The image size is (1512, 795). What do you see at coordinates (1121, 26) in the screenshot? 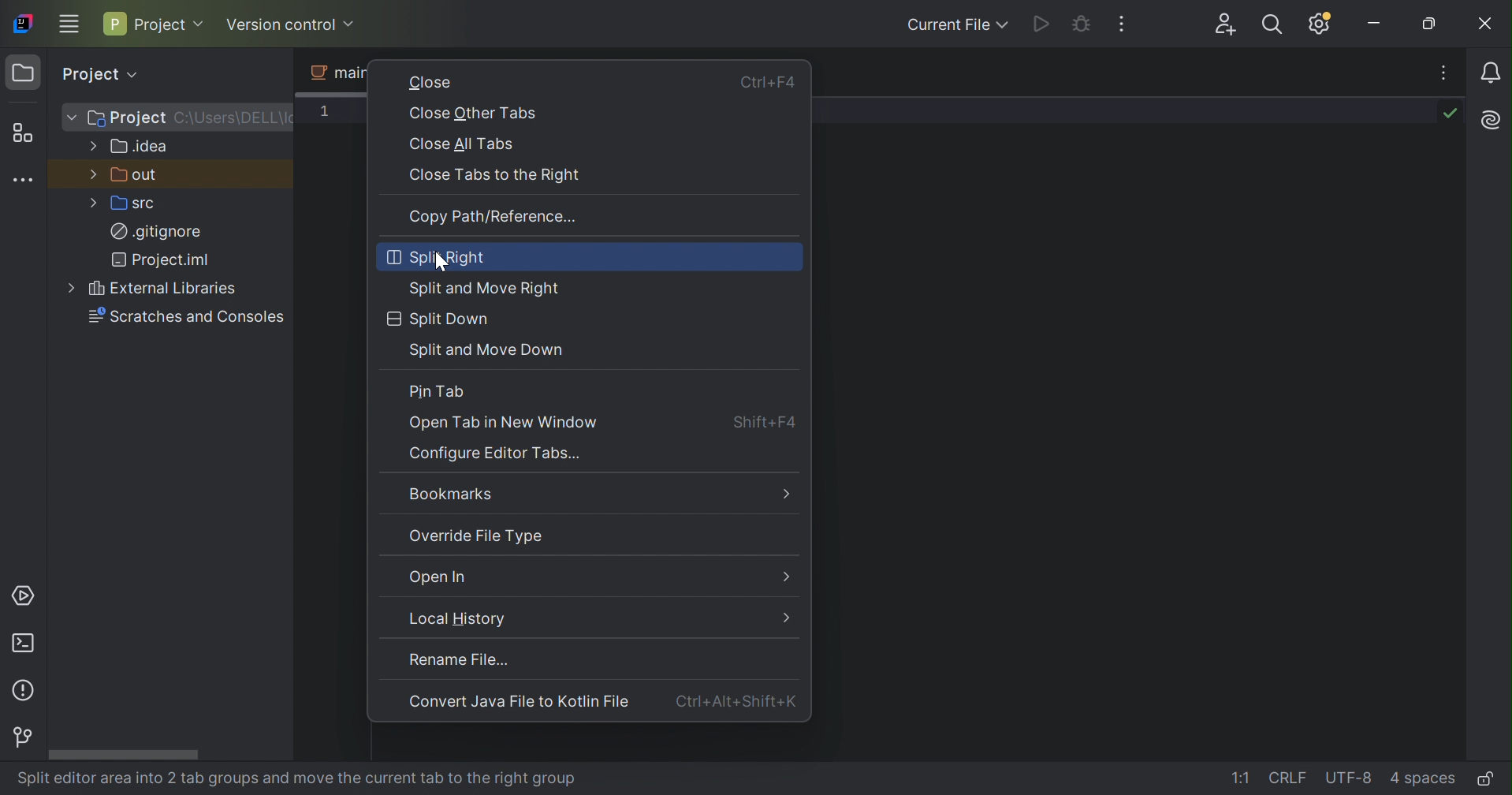
I see `More actions` at bounding box center [1121, 26].